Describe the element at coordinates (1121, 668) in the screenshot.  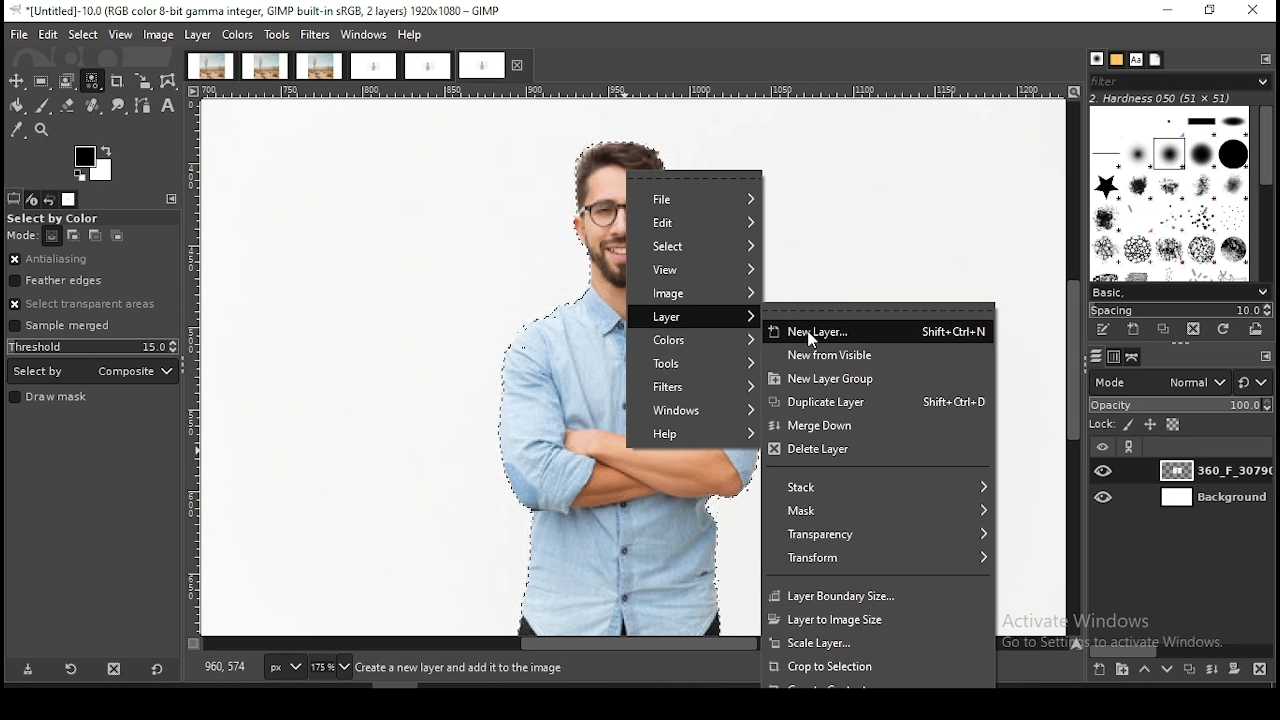
I see `create a new layer group` at that location.